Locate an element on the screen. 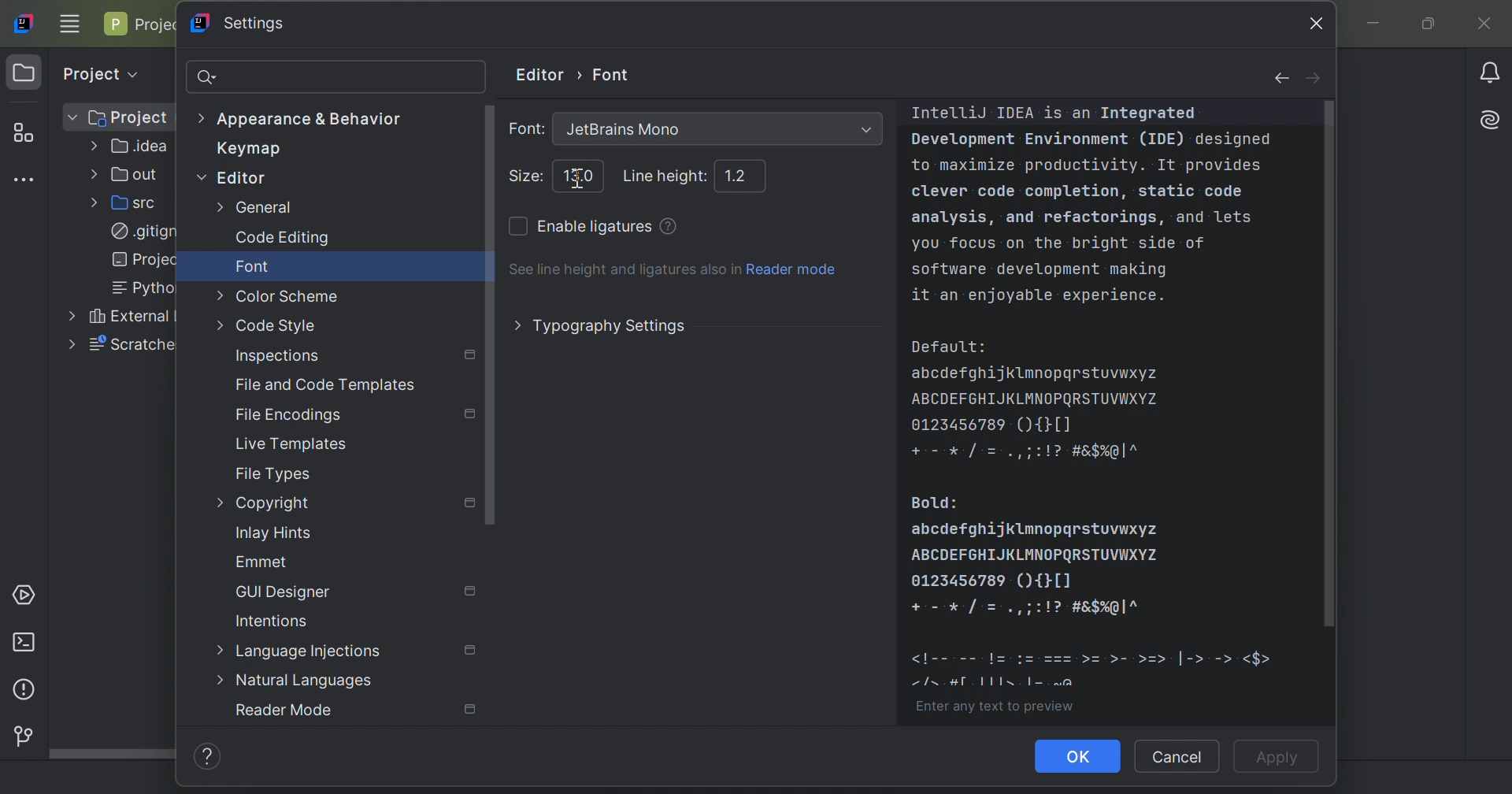  Default: is located at coordinates (949, 347).